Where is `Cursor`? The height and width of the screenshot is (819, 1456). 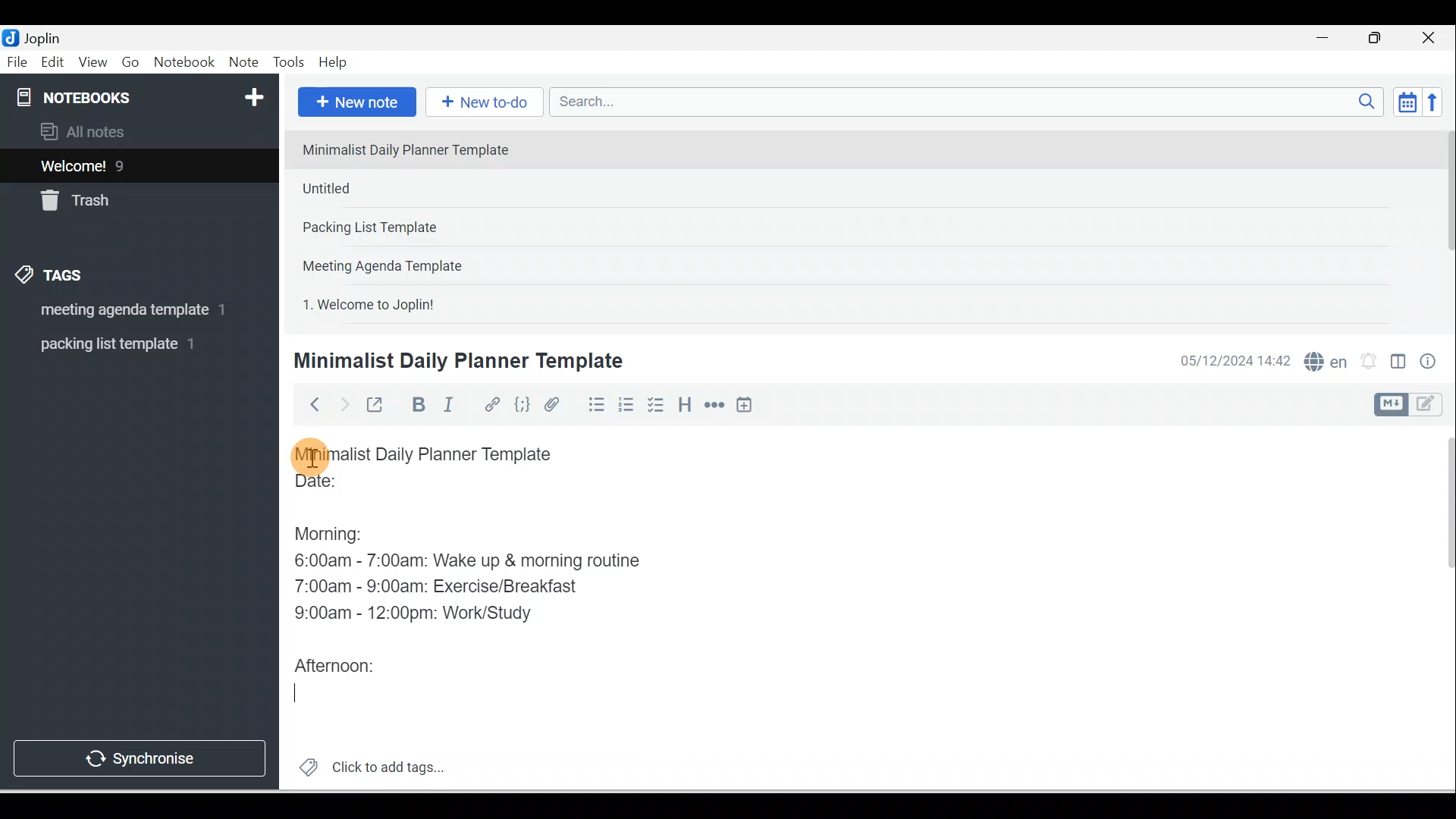 Cursor is located at coordinates (297, 693).